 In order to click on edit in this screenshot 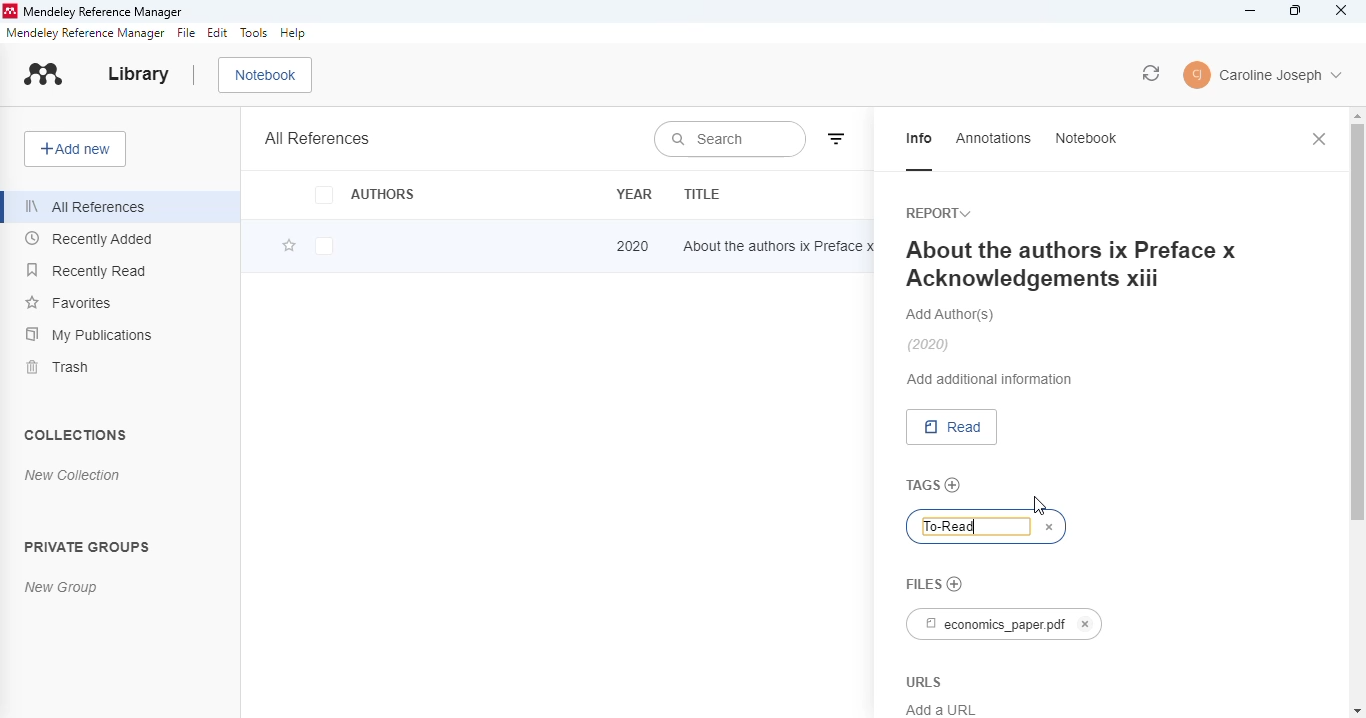, I will do `click(219, 33)`.